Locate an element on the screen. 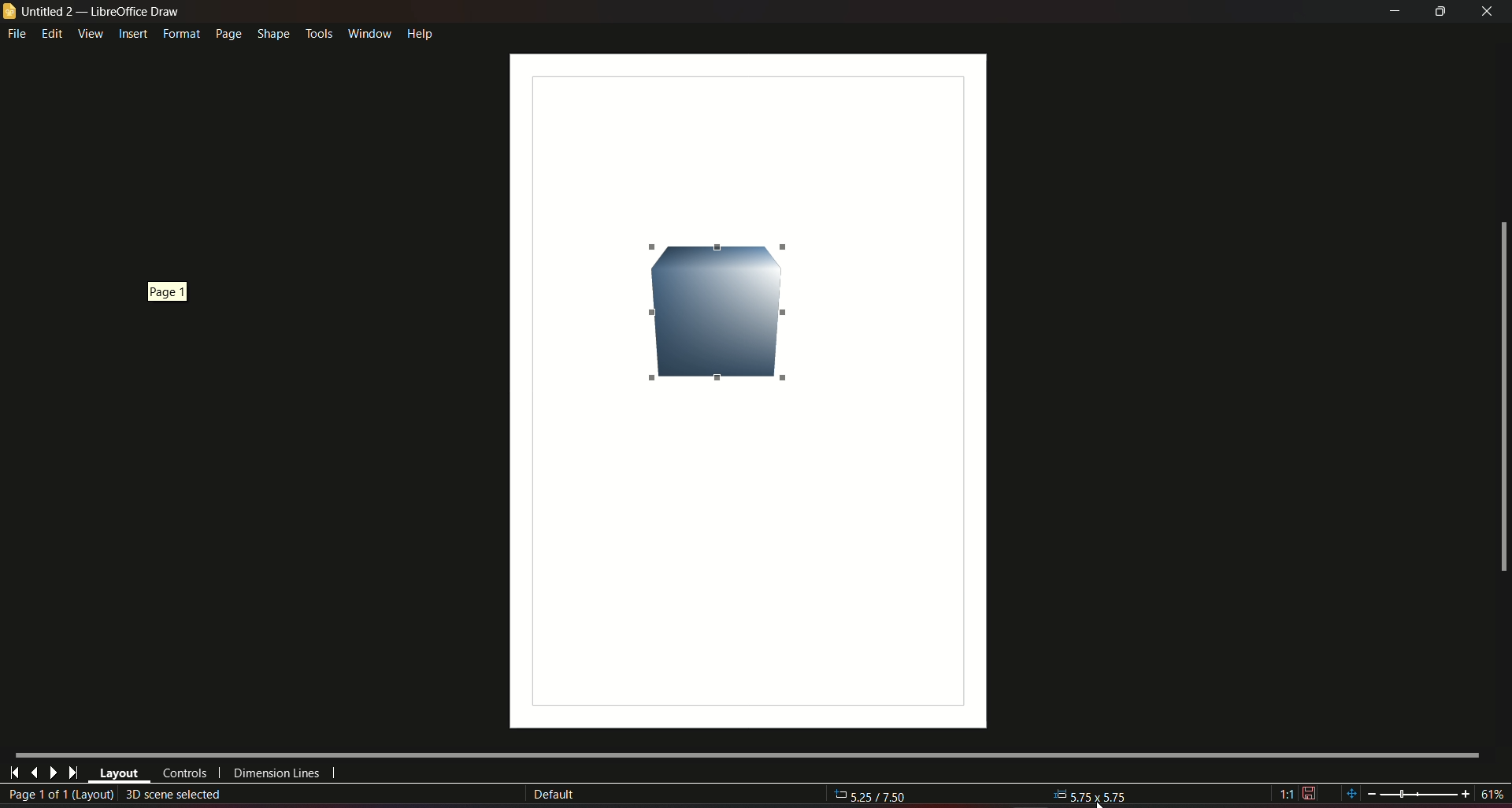 Image resolution: width=1512 pixels, height=808 pixels. next page is located at coordinates (53, 773).